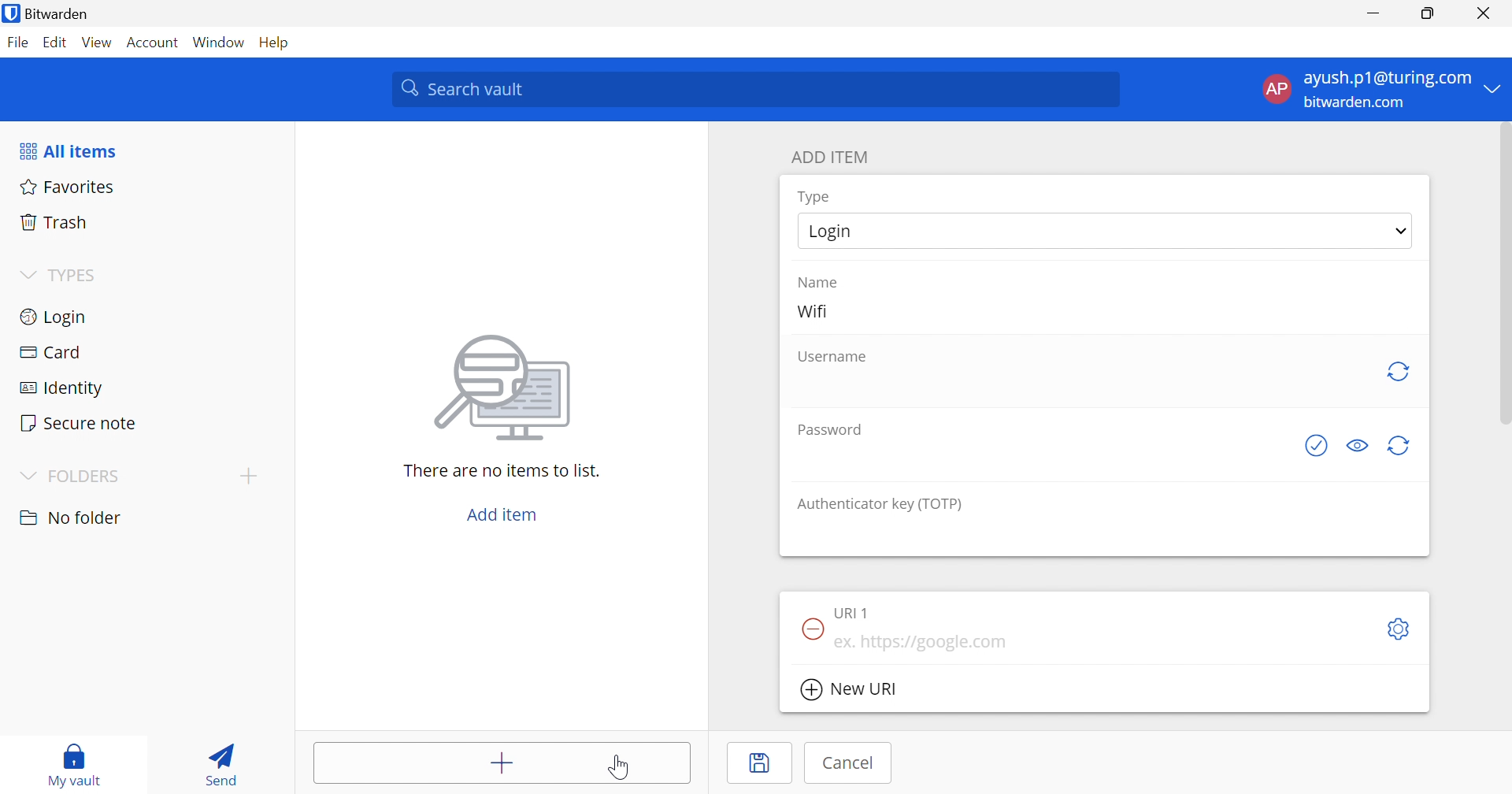  Describe the element at coordinates (835, 429) in the screenshot. I see `Password` at that location.